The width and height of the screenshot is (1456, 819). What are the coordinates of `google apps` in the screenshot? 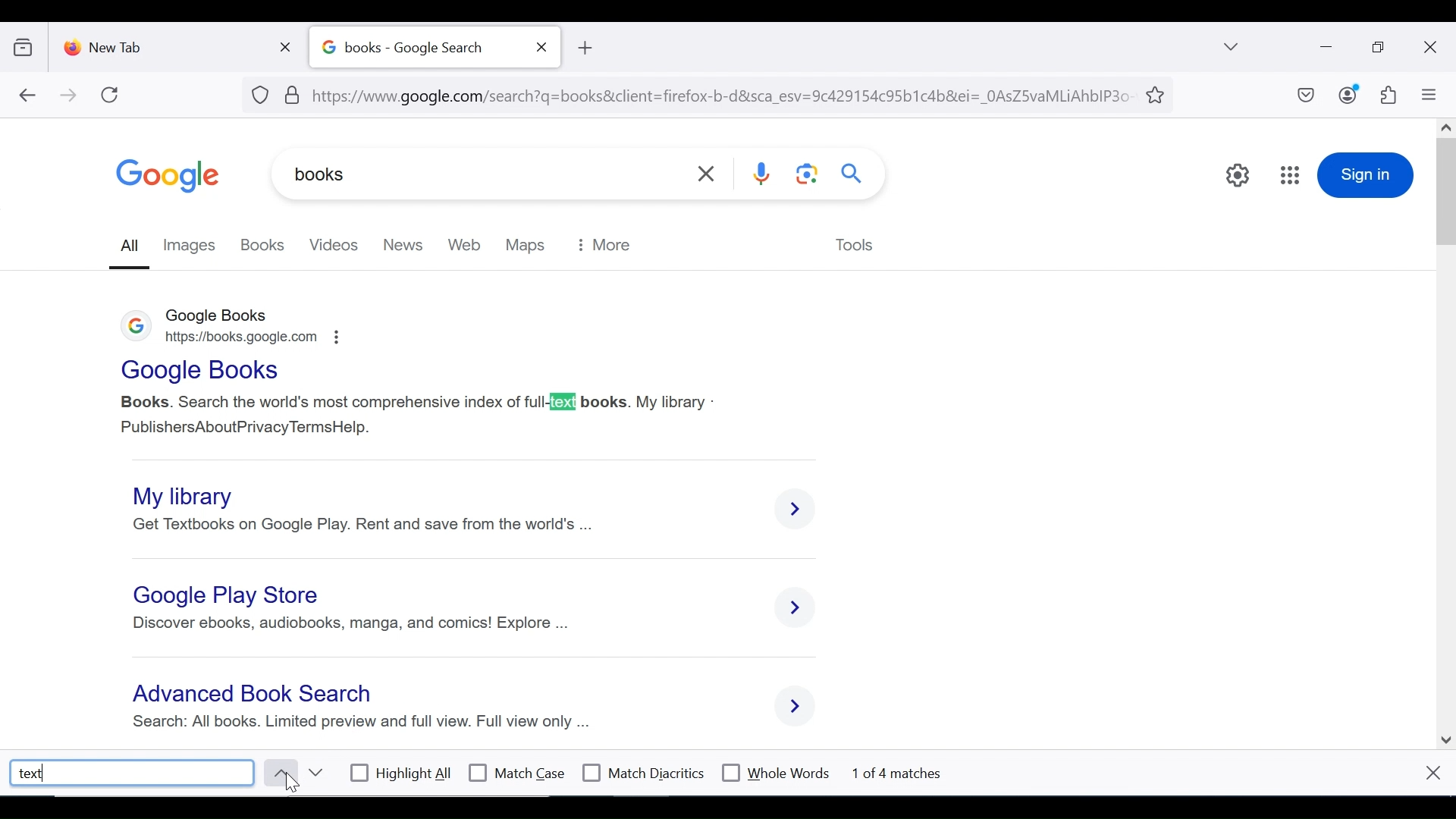 It's located at (1291, 176).